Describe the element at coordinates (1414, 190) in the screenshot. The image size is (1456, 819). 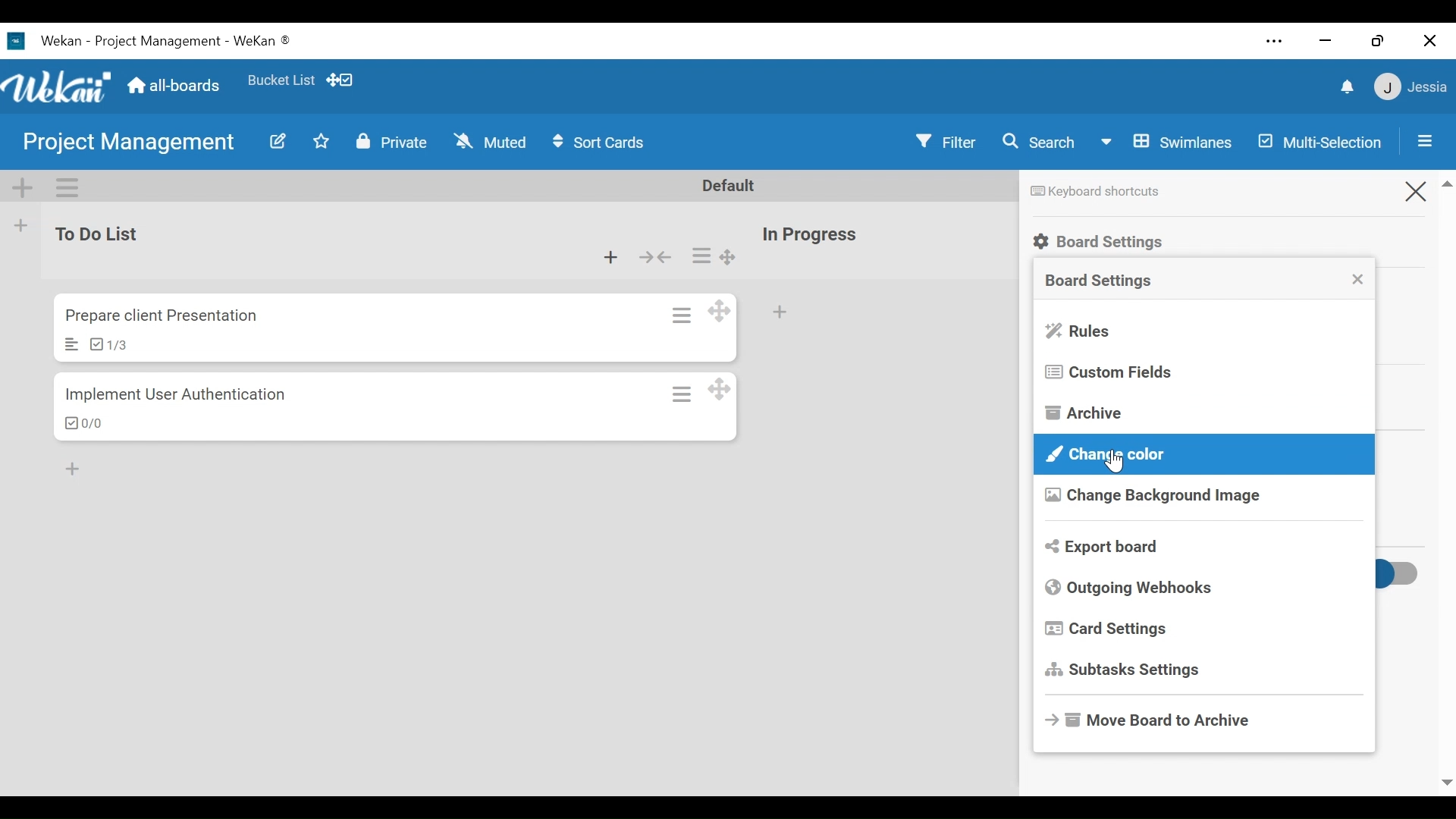
I see `Close` at that location.